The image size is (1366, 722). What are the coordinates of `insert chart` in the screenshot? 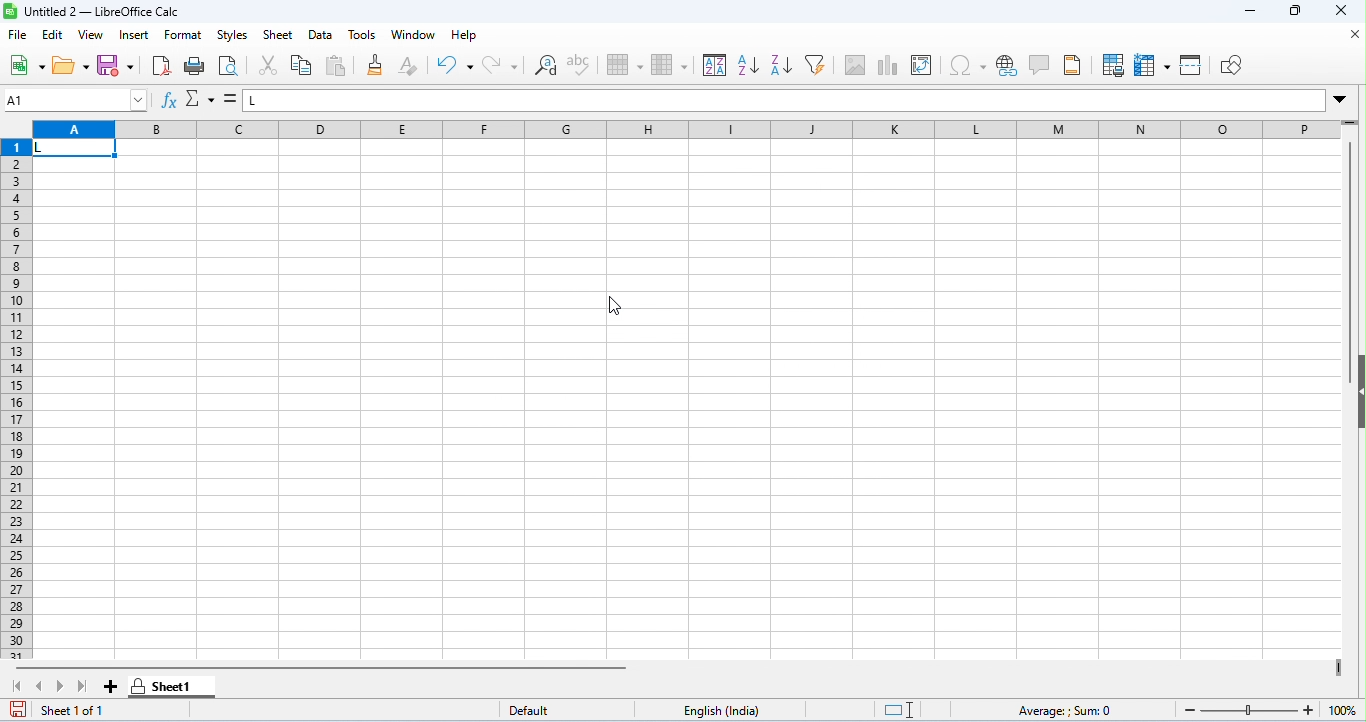 It's located at (886, 64).